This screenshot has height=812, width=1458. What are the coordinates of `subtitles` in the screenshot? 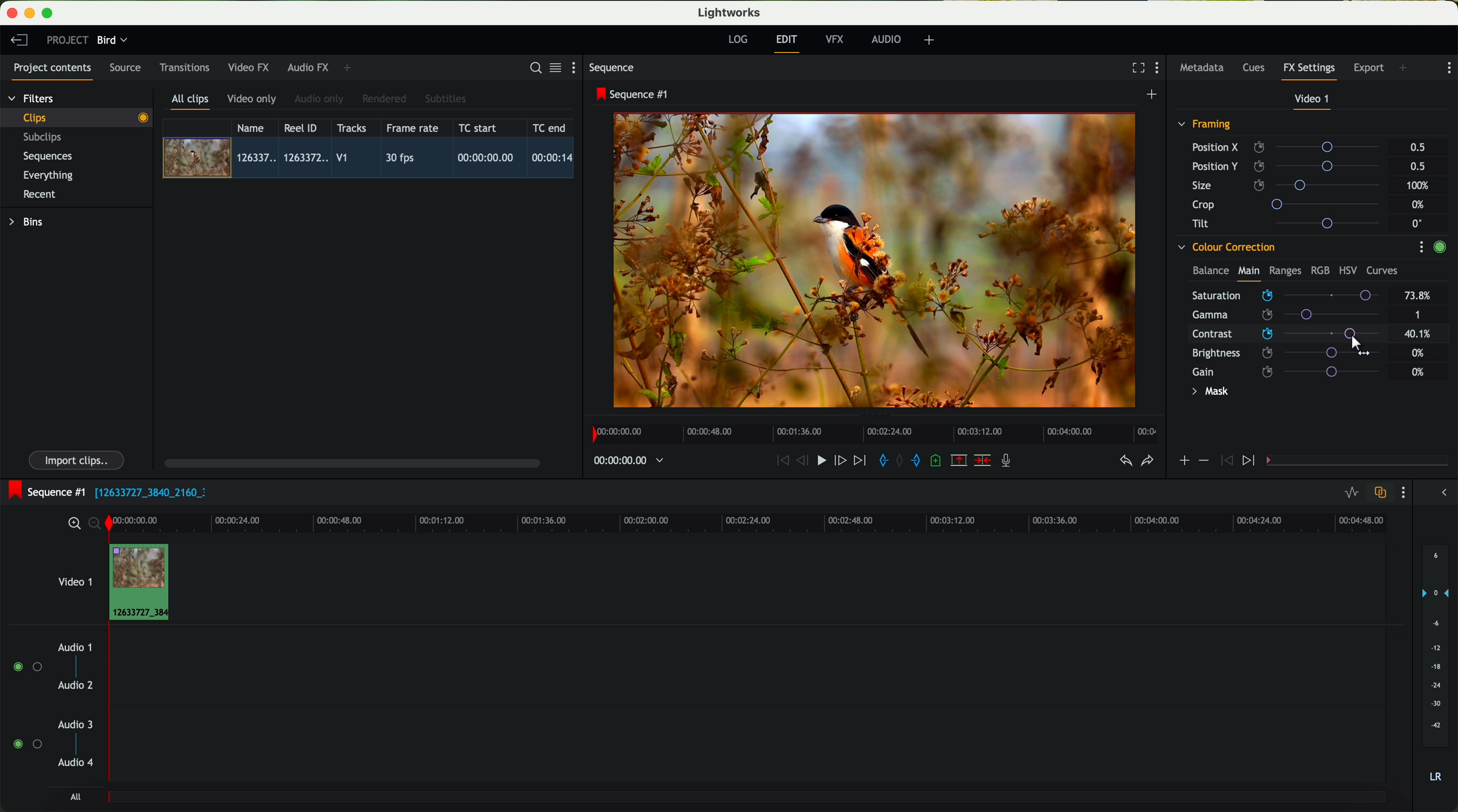 It's located at (444, 99).